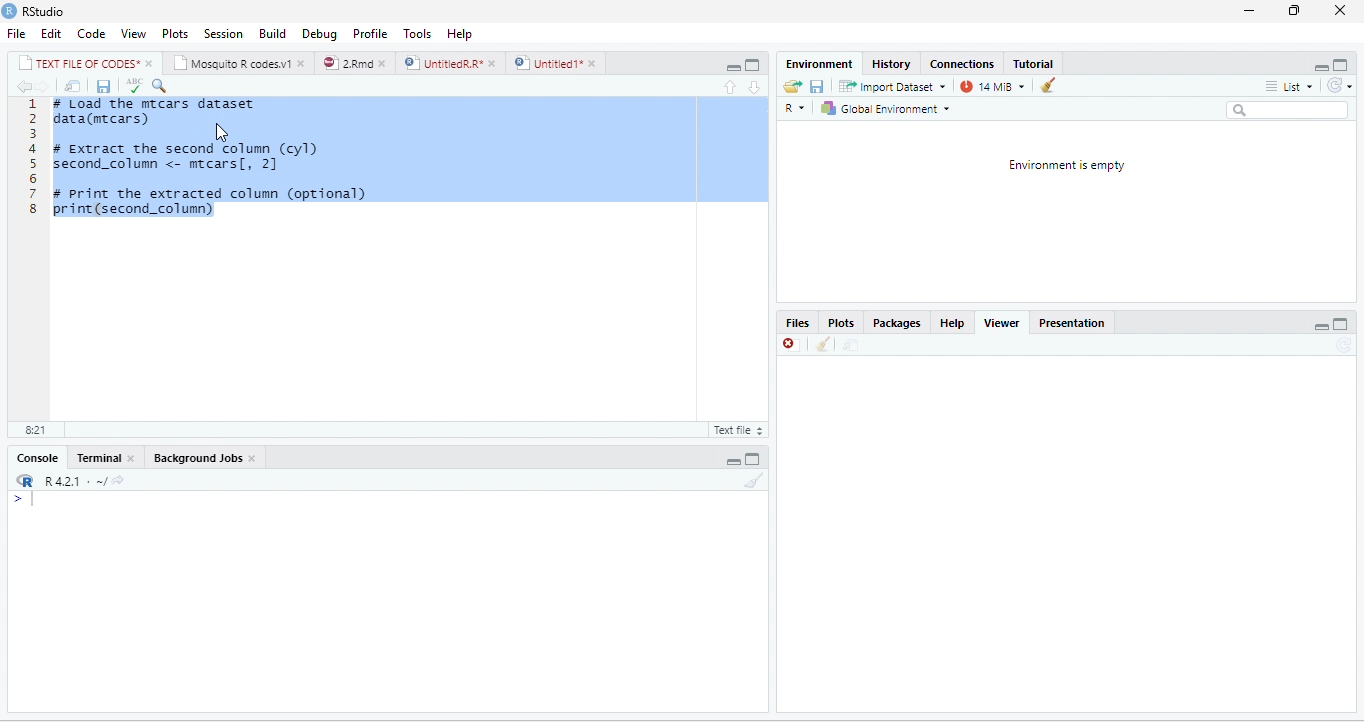 Image resolution: width=1364 pixels, height=722 pixels. Describe the element at coordinates (595, 63) in the screenshot. I see `close` at that location.